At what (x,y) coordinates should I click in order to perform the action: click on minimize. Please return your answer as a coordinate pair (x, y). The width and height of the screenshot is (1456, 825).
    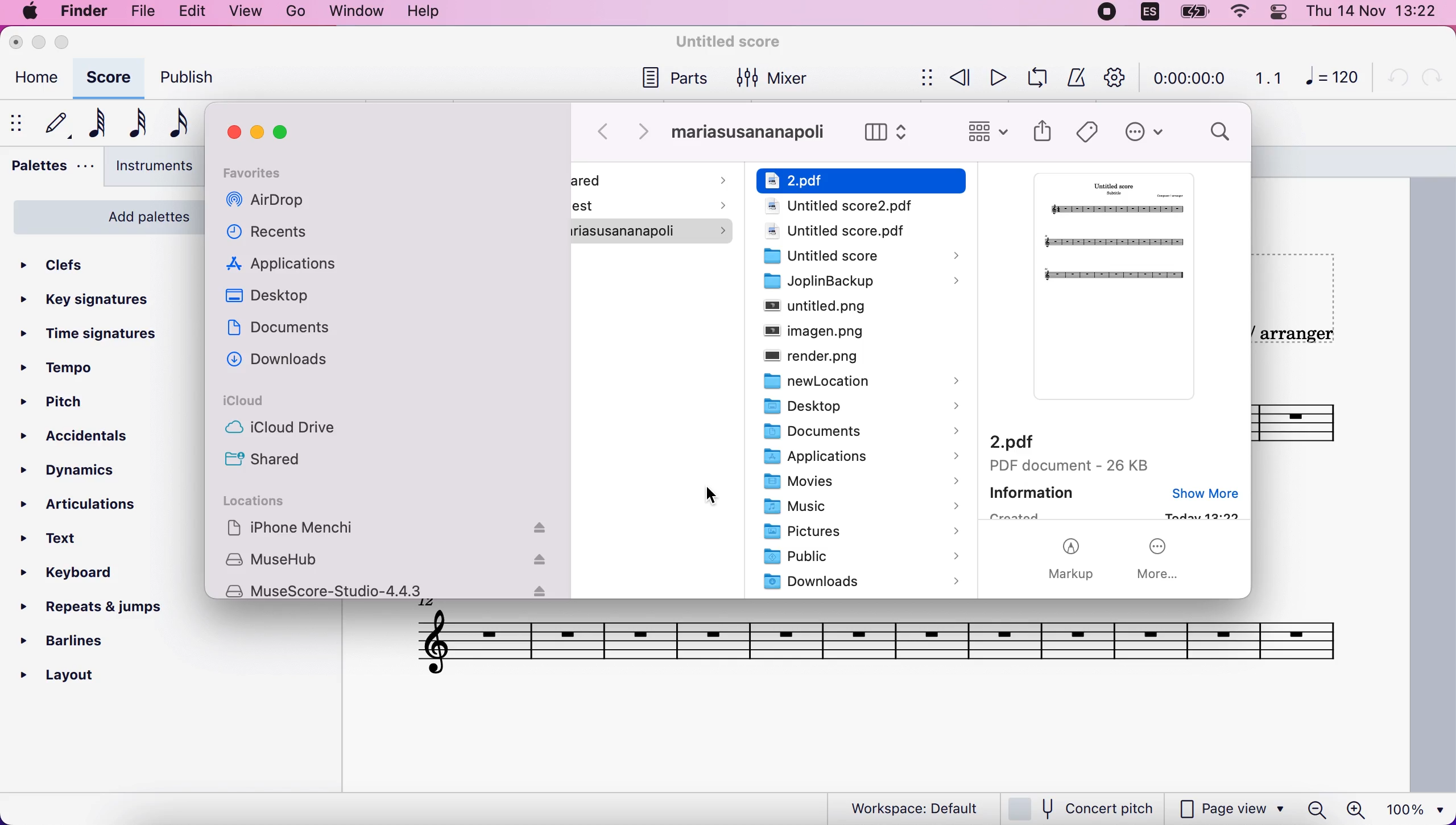
    Looking at the image, I should click on (259, 132).